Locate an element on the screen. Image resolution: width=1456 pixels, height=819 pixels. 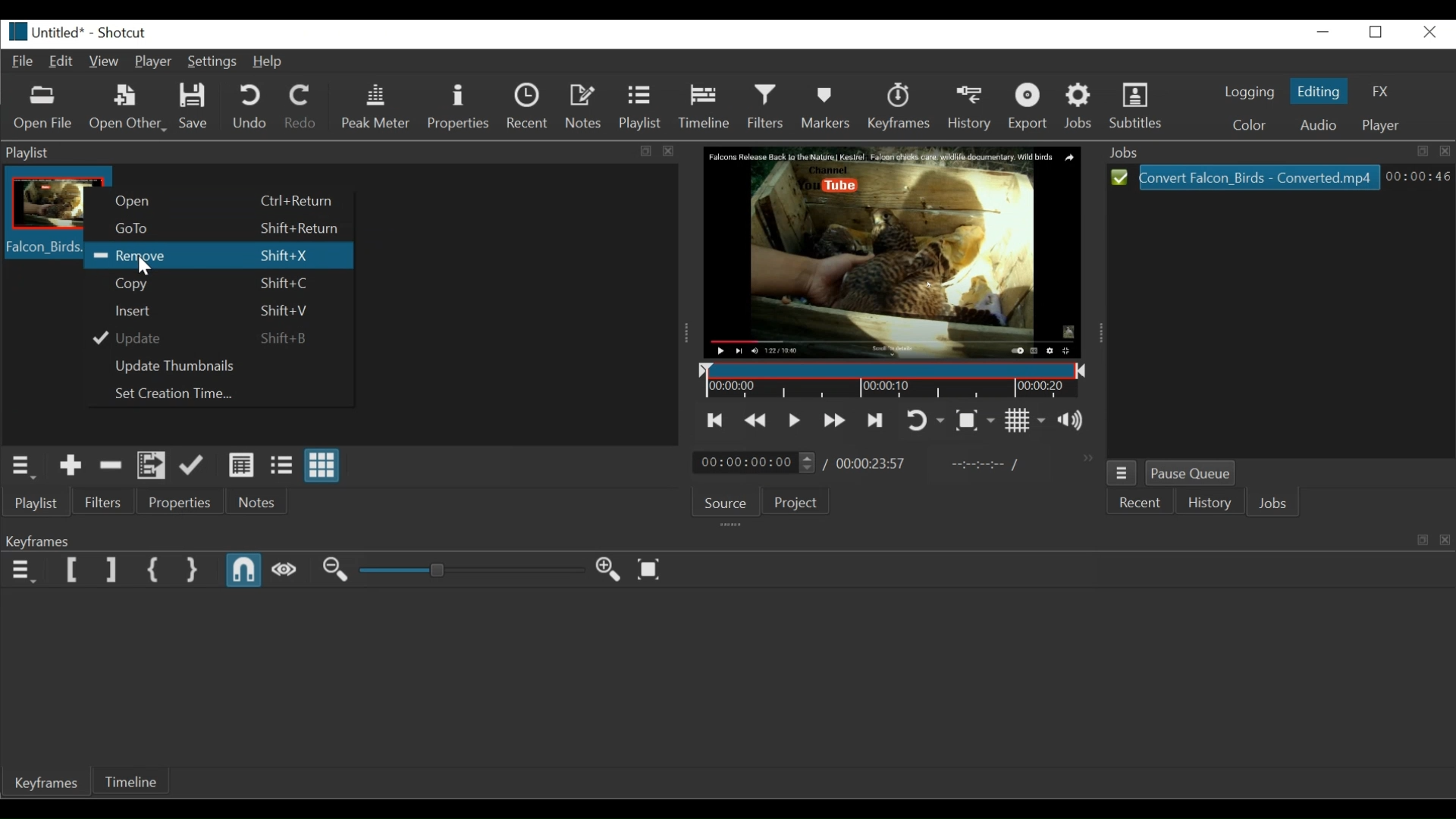
Timeline is located at coordinates (706, 108).